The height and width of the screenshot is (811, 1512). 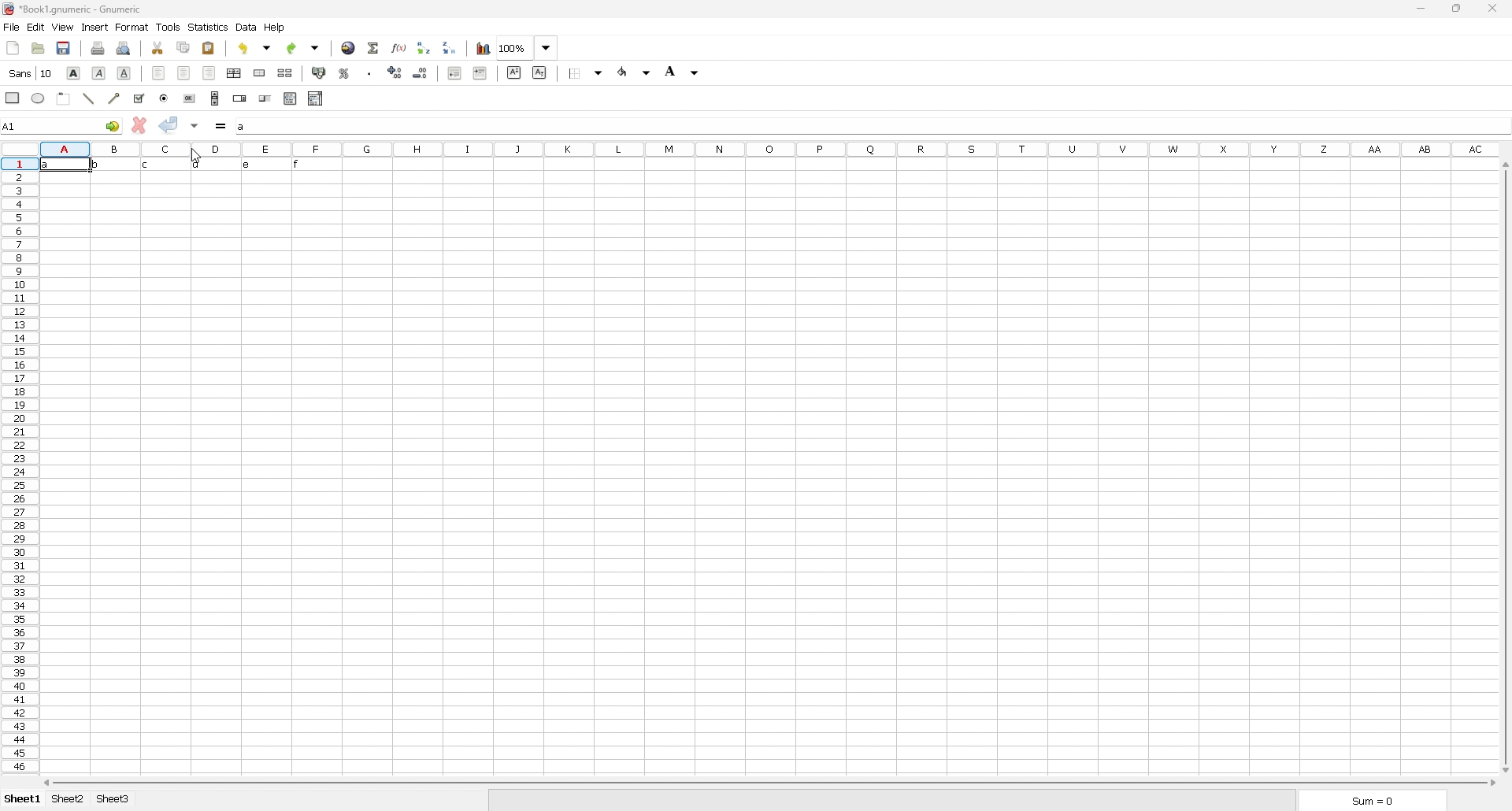 What do you see at coordinates (165, 98) in the screenshot?
I see `radio button` at bounding box center [165, 98].